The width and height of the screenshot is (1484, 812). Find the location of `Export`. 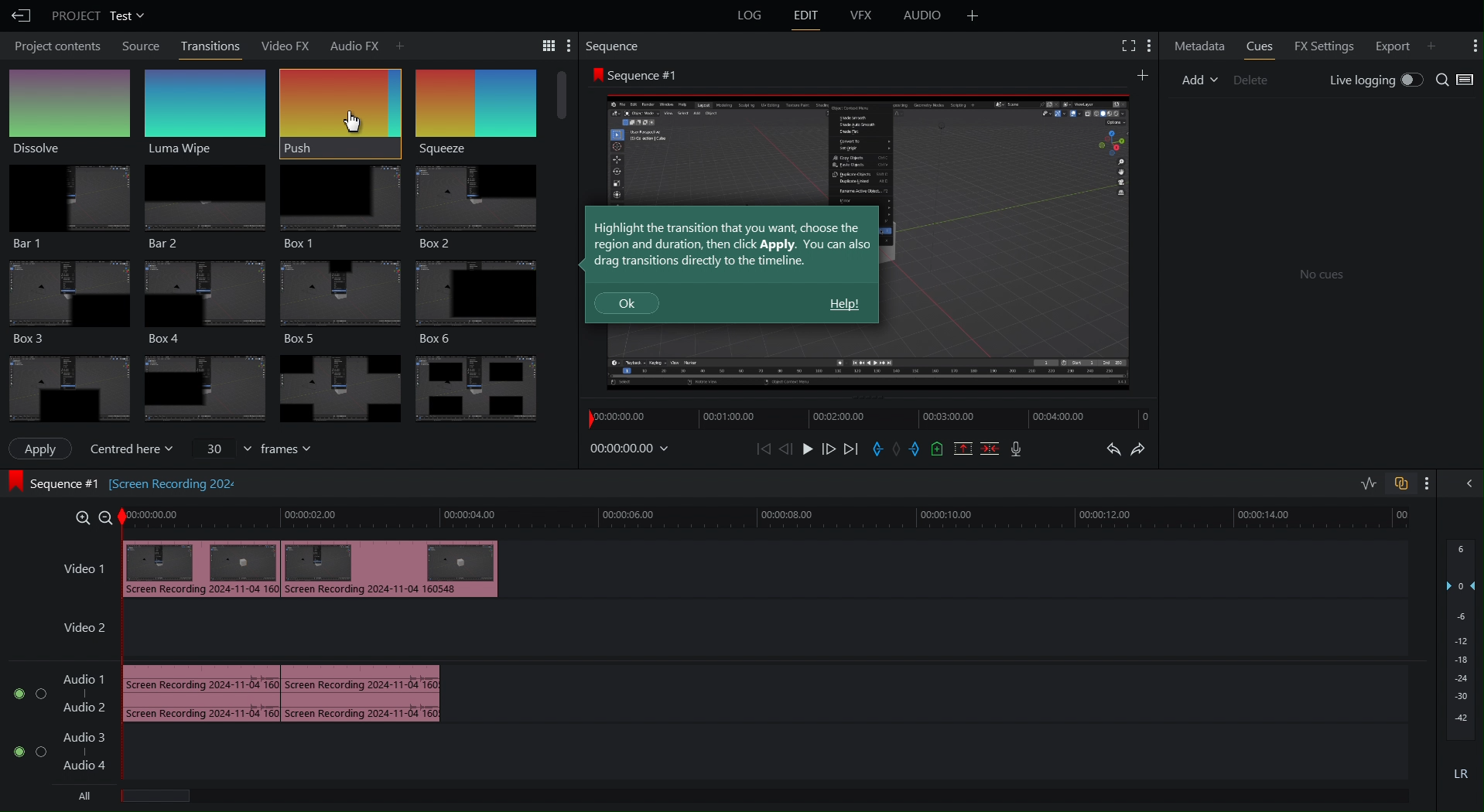

Export is located at coordinates (1389, 45).